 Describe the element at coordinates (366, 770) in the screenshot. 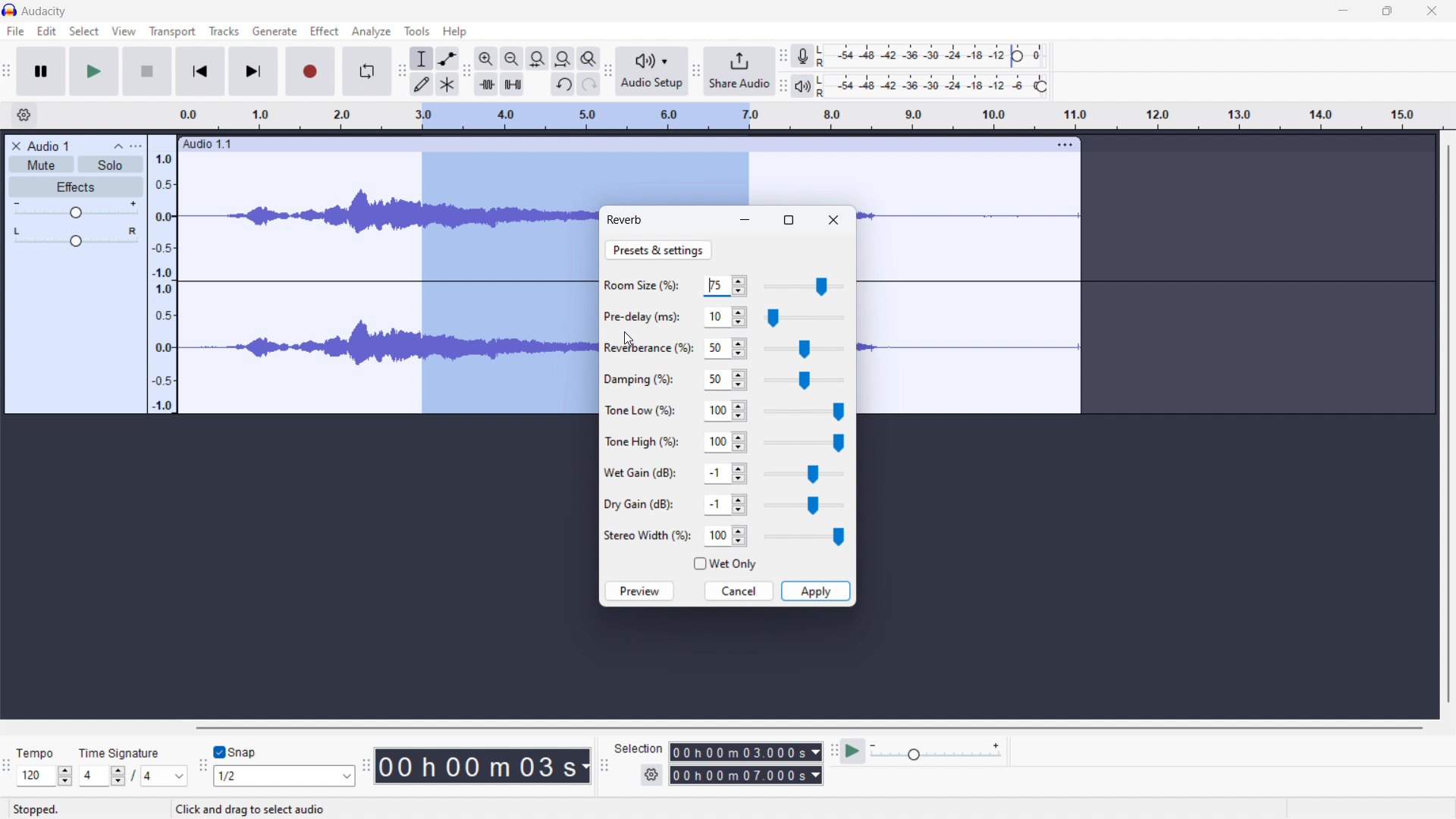

I see `time toolbar` at that location.